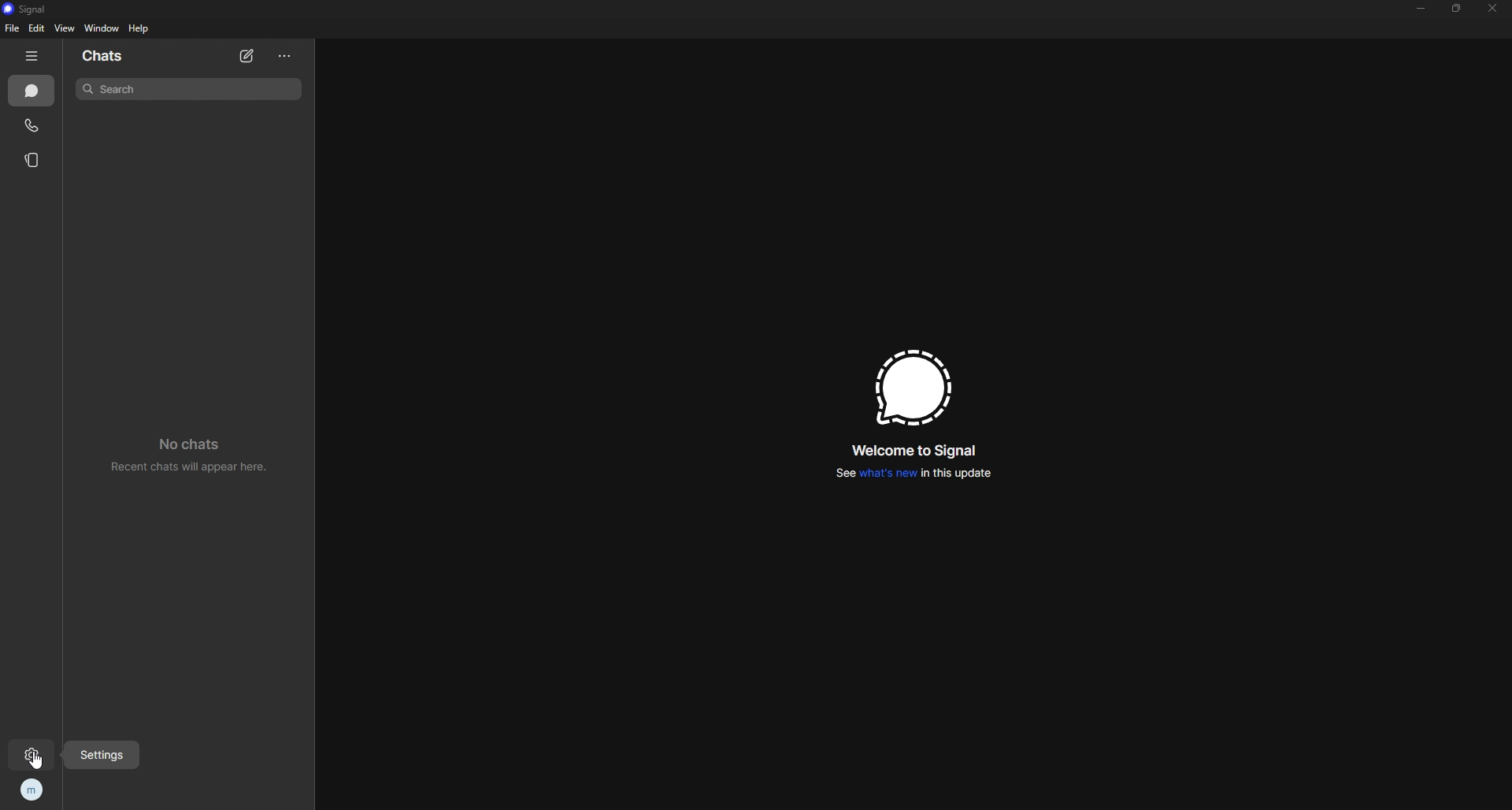 This screenshot has height=810, width=1512. What do you see at coordinates (140, 28) in the screenshot?
I see `help` at bounding box center [140, 28].